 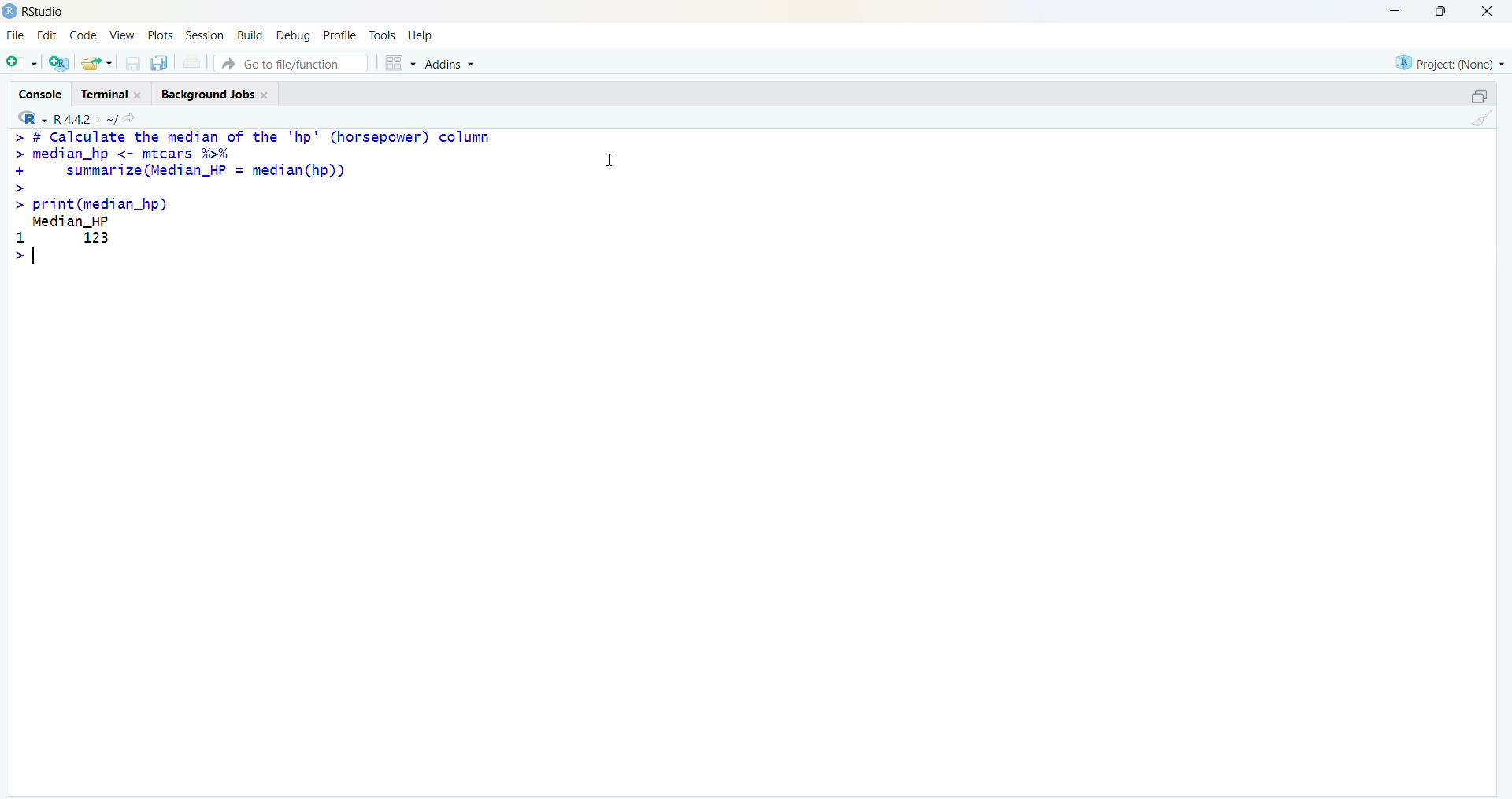 What do you see at coordinates (106, 95) in the screenshot?
I see `terminal` at bounding box center [106, 95].